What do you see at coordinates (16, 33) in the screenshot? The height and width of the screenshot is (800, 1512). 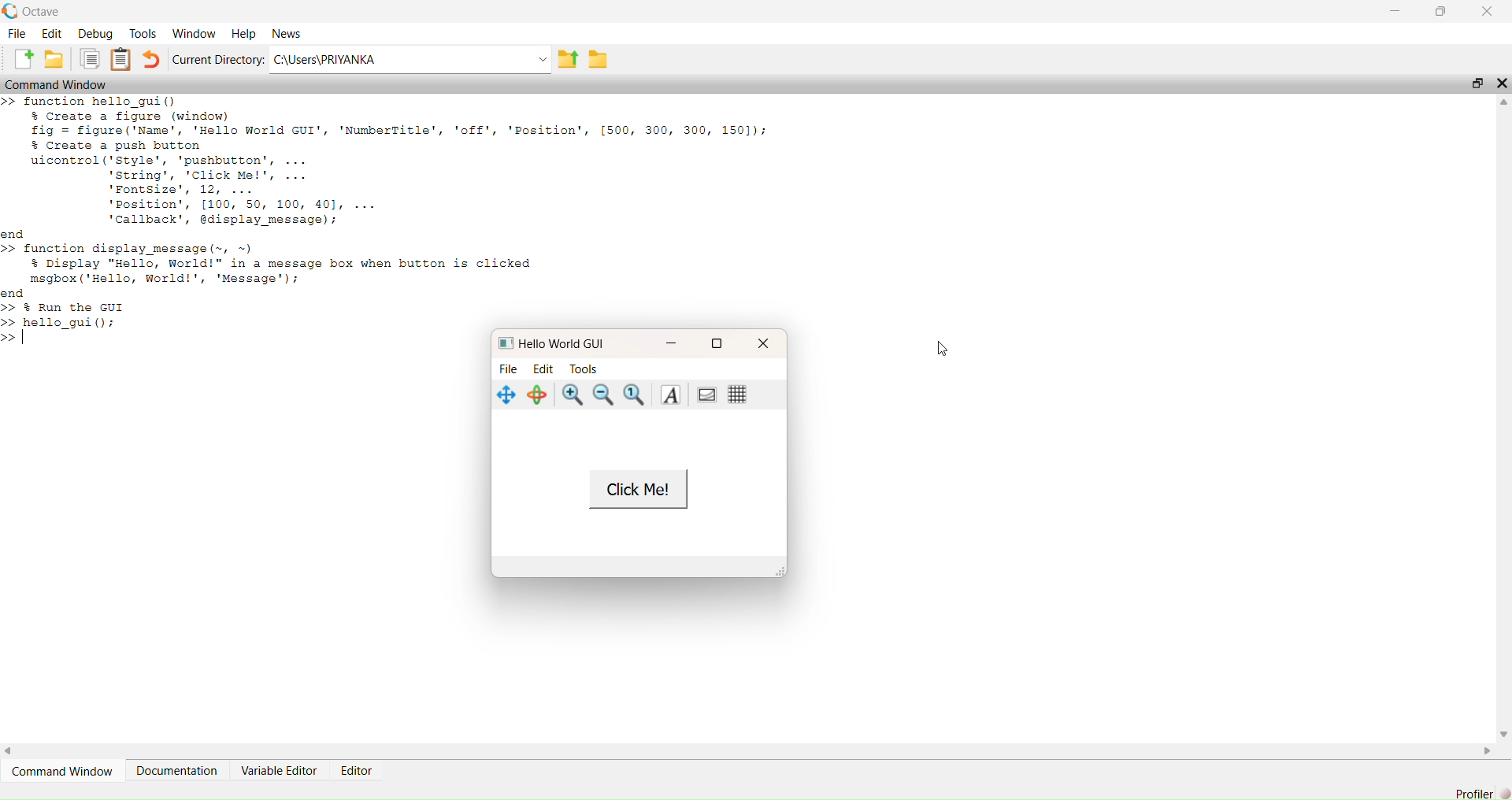 I see `File` at bounding box center [16, 33].